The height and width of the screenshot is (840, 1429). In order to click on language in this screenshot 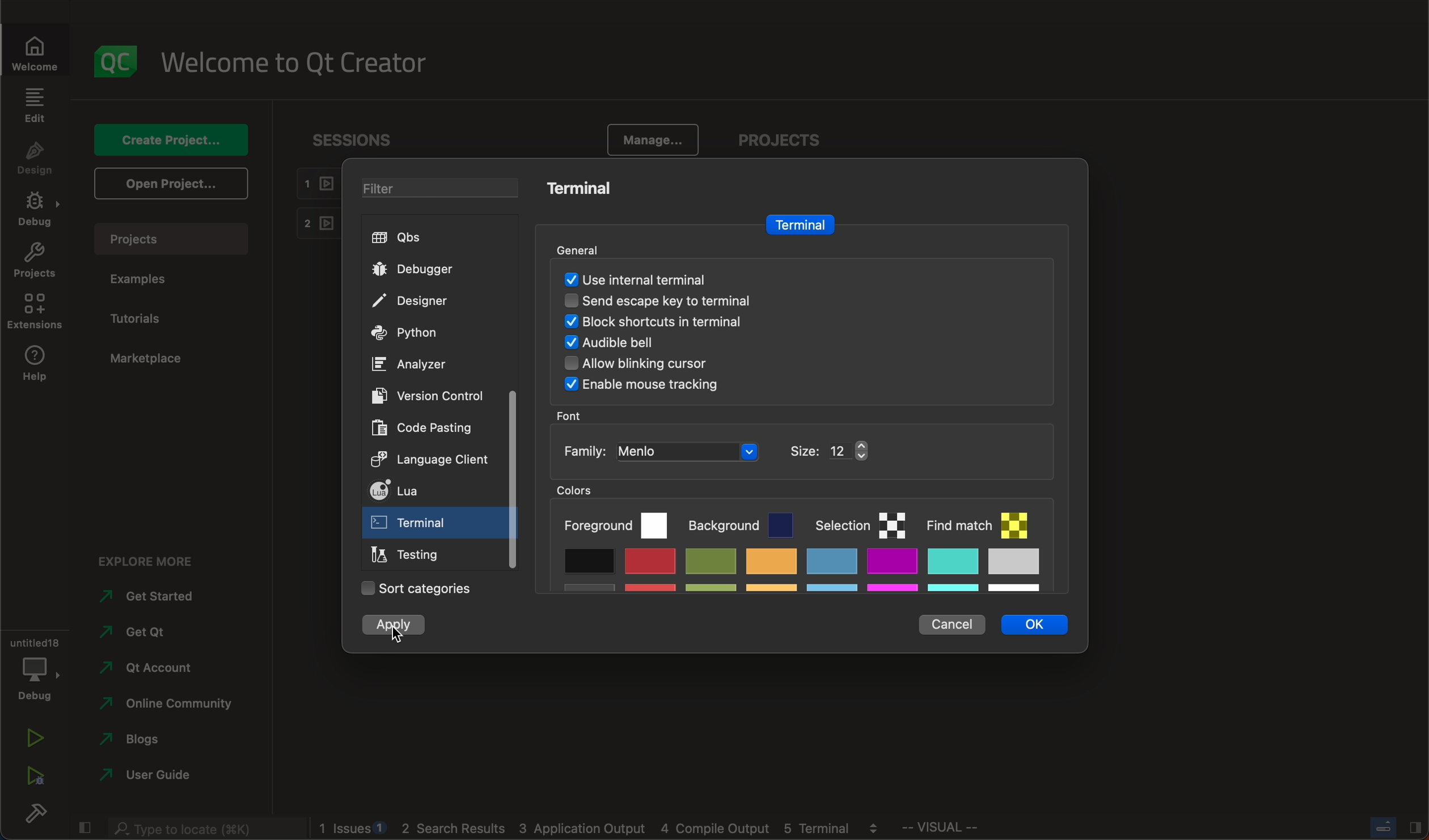, I will do `click(433, 461)`.